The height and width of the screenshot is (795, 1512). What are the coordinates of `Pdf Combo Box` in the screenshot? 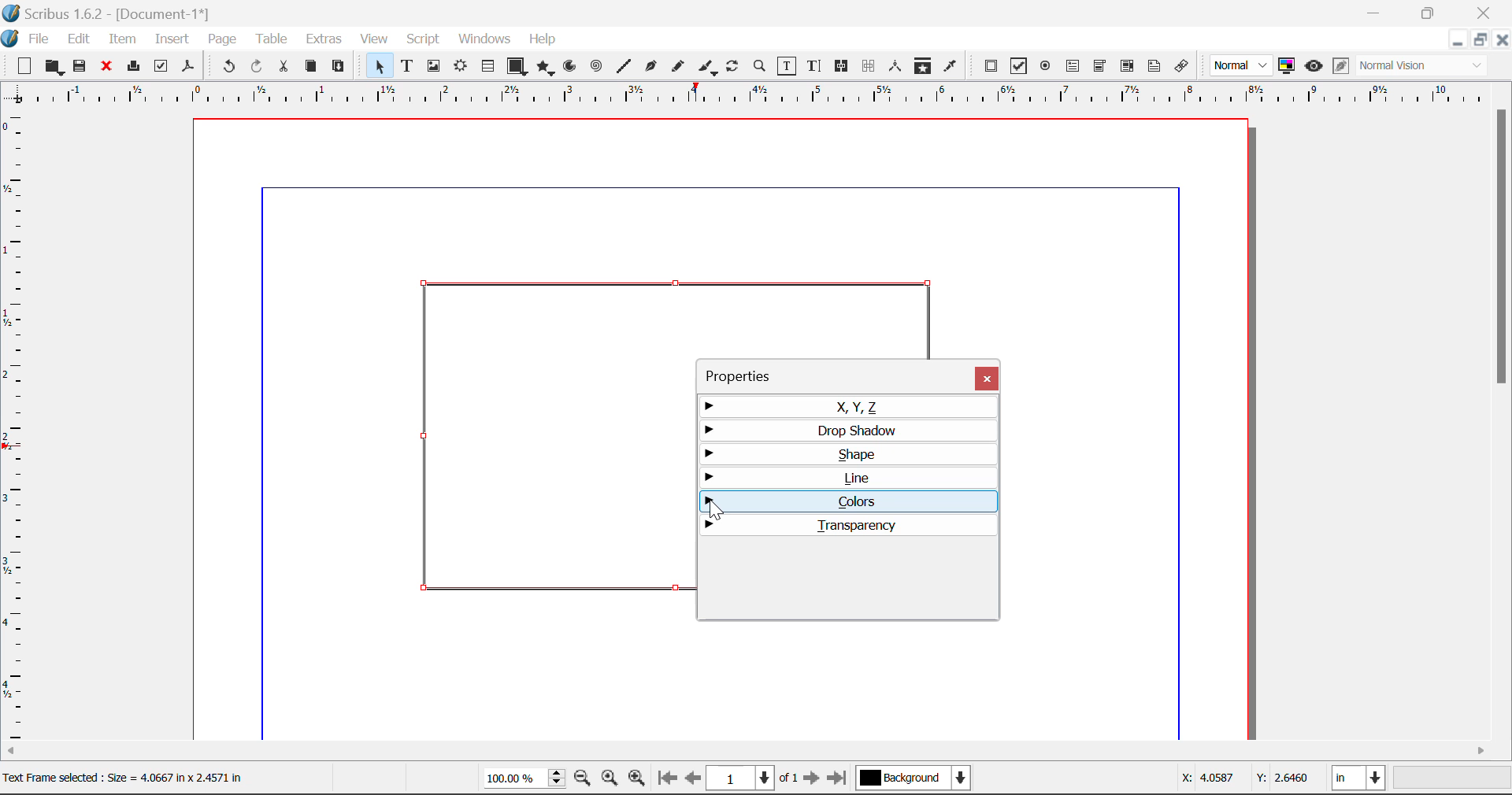 It's located at (1100, 65).